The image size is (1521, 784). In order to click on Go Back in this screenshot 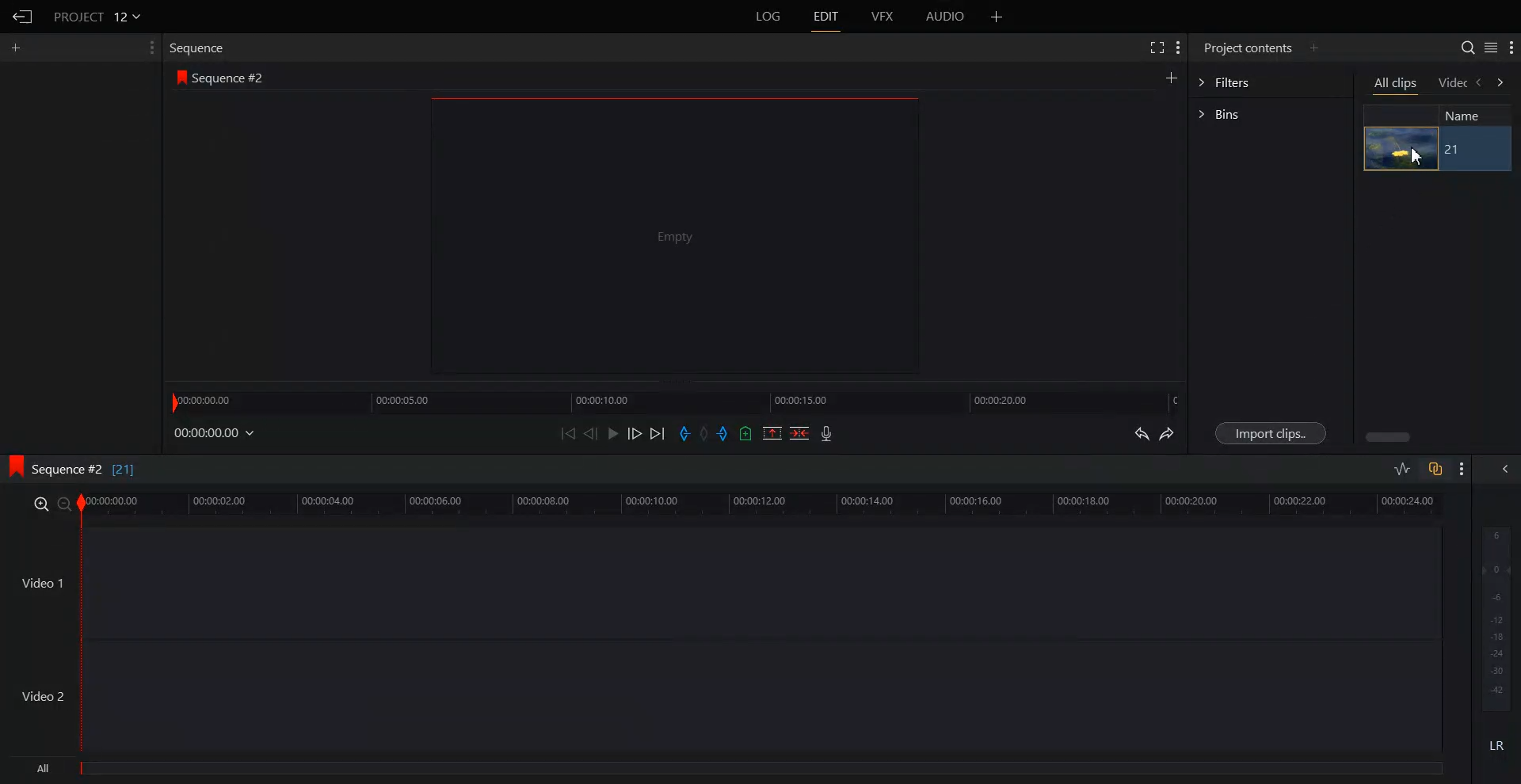, I will do `click(22, 16)`.